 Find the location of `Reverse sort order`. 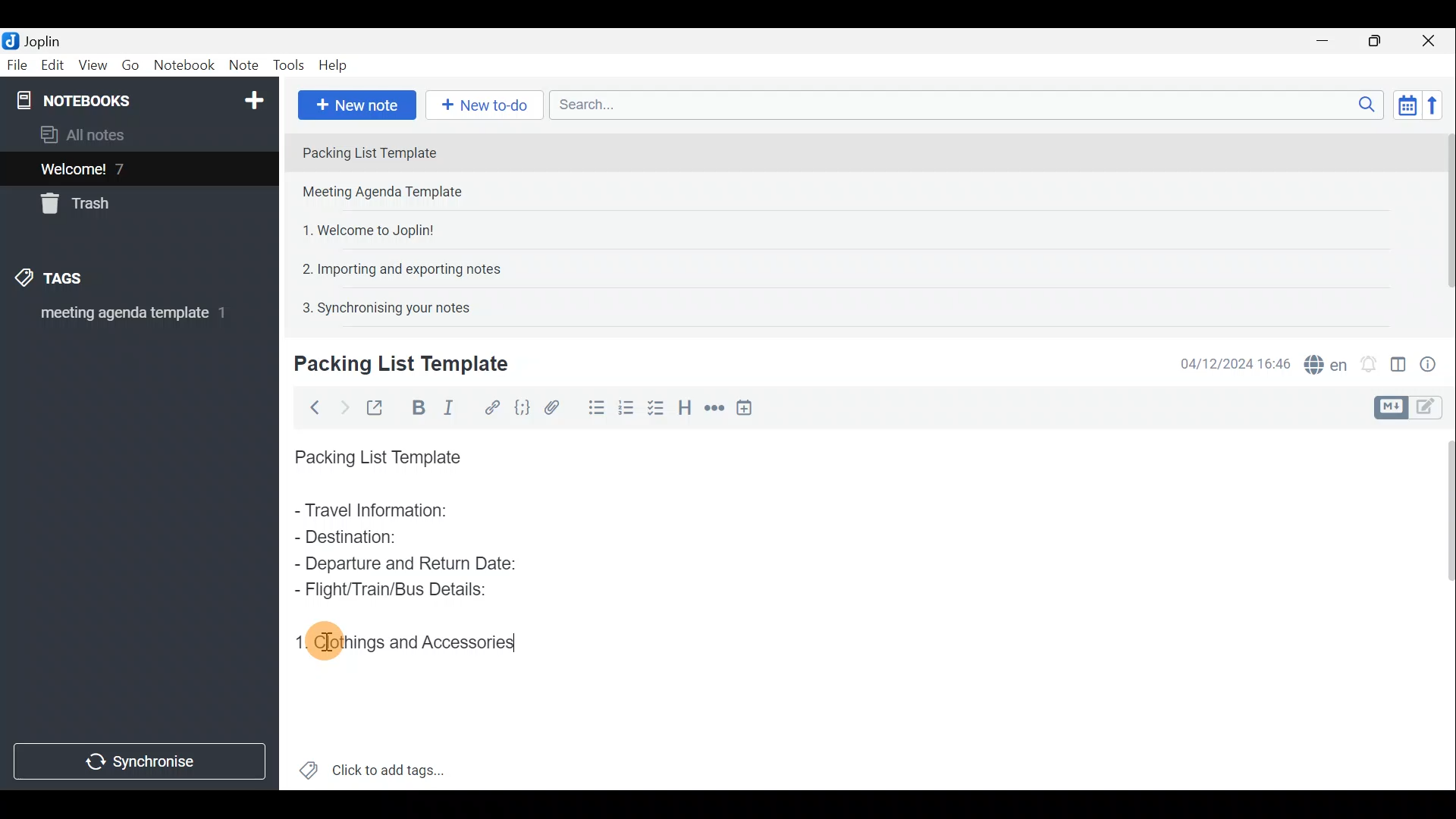

Reverse sort order is located at coordinates (1438, 104).